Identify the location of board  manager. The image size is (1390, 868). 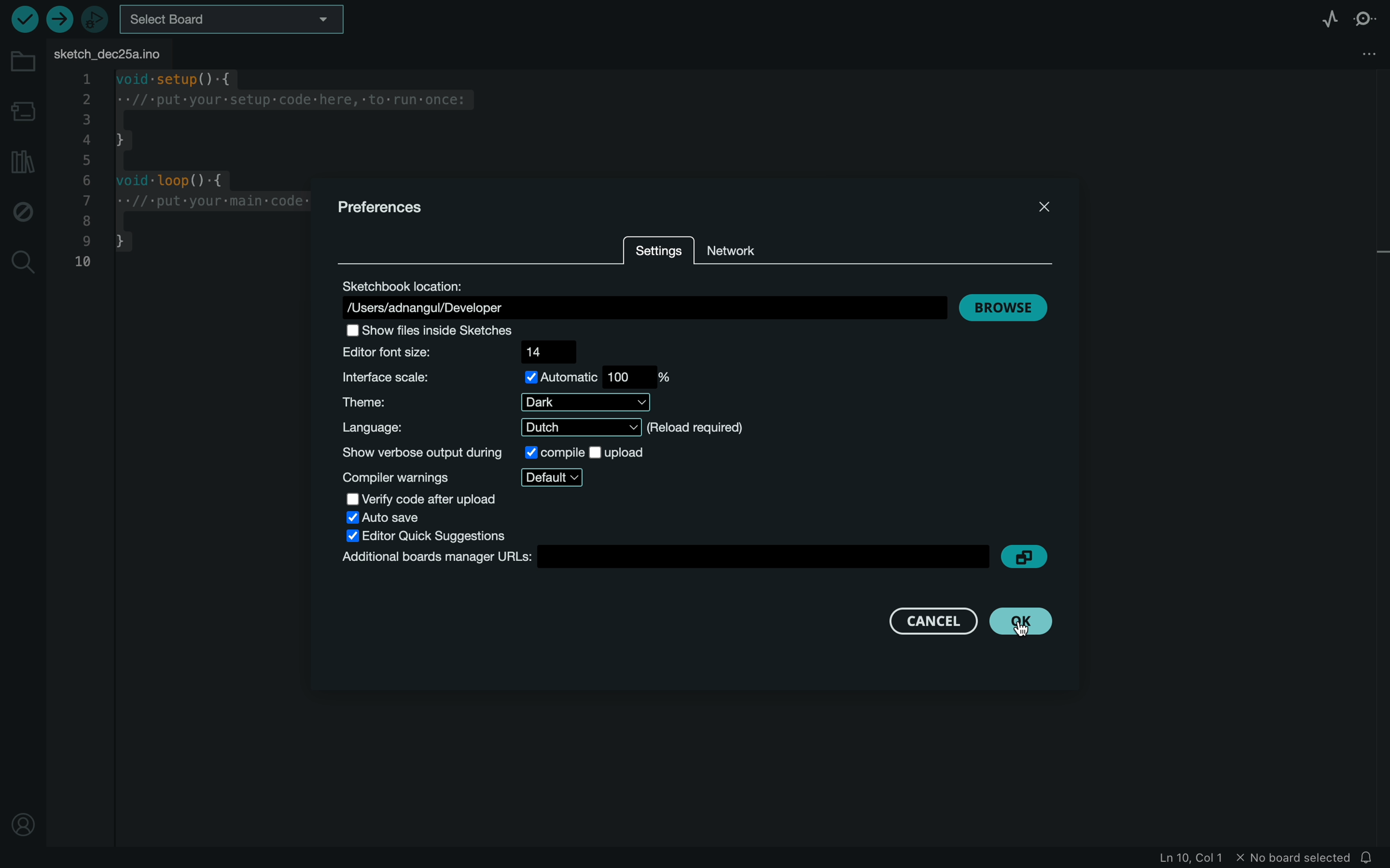
(24, 111).